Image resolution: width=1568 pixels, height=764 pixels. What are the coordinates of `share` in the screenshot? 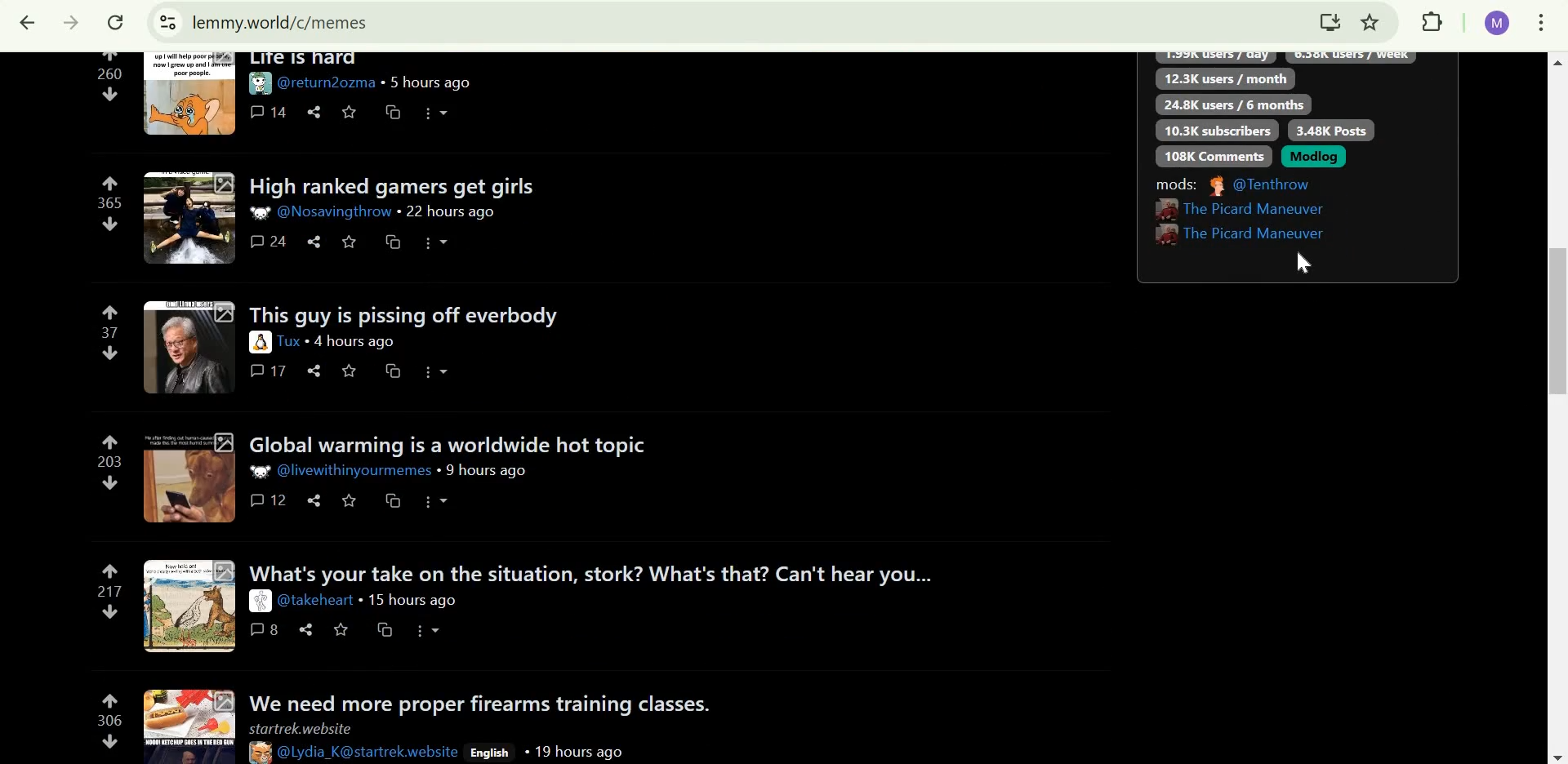 It's located at (315, 499).